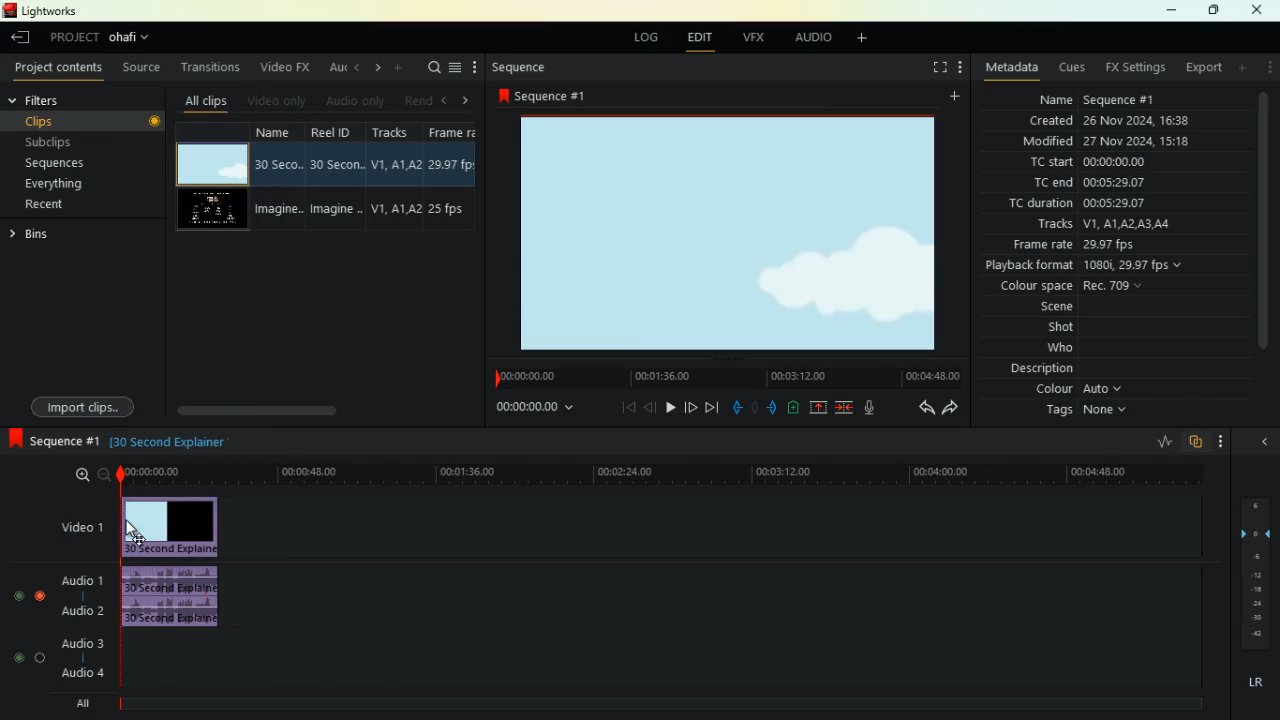  What do you see at coordinates (470, 101) in the screenshot?
I see `right` at bounding box center [470, 101].